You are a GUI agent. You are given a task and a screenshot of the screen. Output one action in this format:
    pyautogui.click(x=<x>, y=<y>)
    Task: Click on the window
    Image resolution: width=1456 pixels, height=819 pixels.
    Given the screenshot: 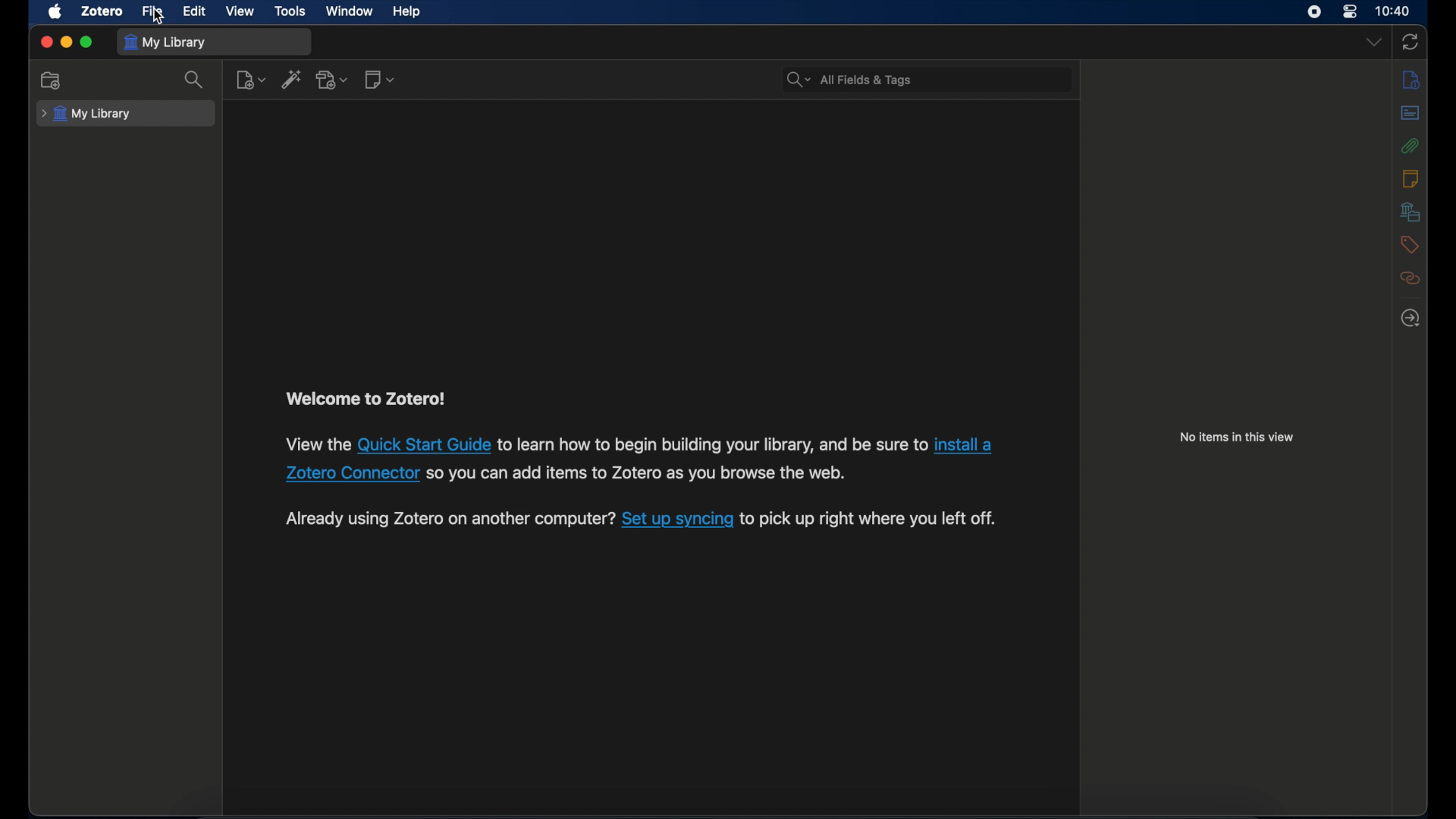 What is the action you would take?
    pyautogui.click(x=350, y=11)
    